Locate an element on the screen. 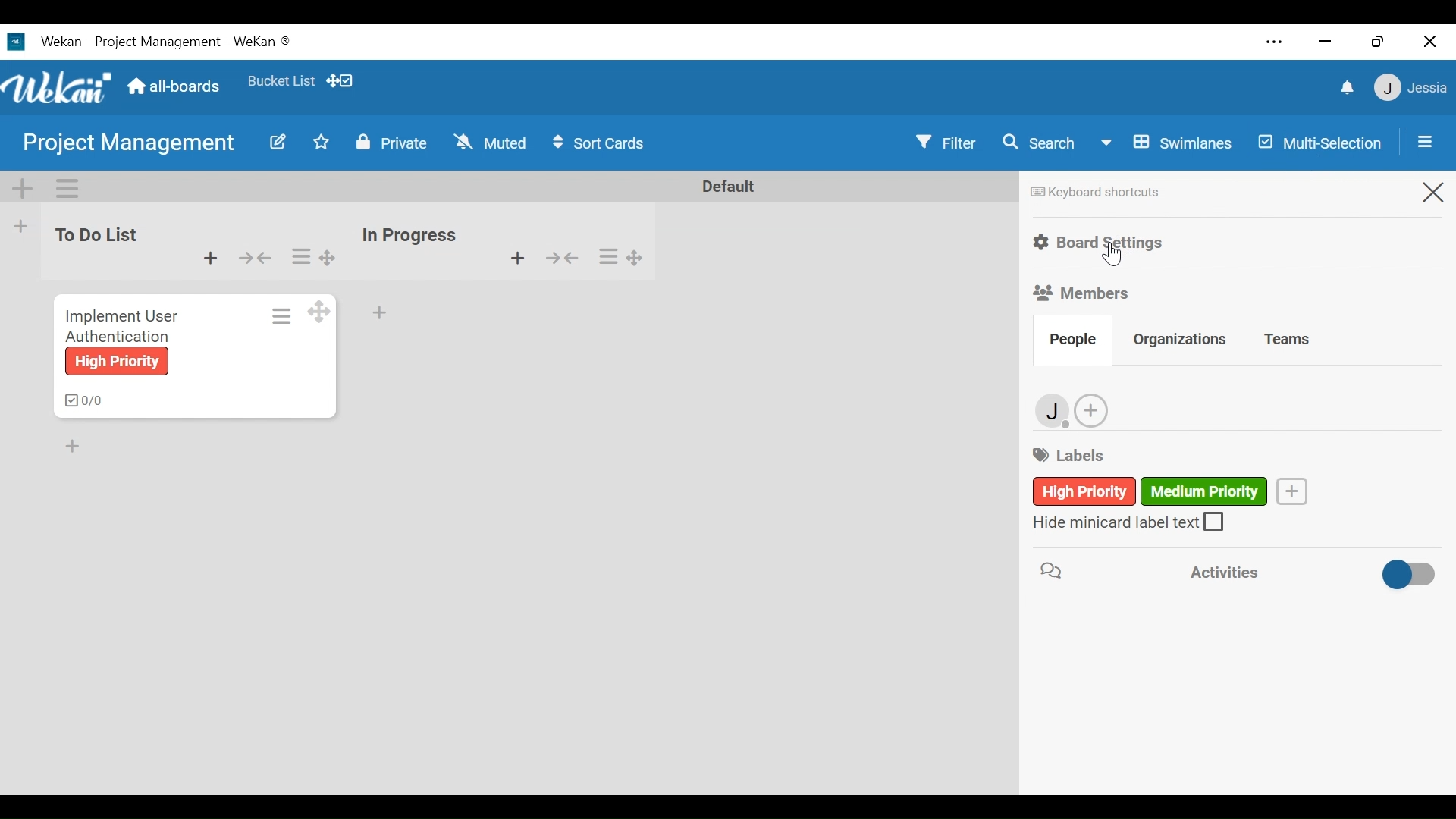 This screenshot has height=819, width=1456. restore is located at coordinates (1377, 41).